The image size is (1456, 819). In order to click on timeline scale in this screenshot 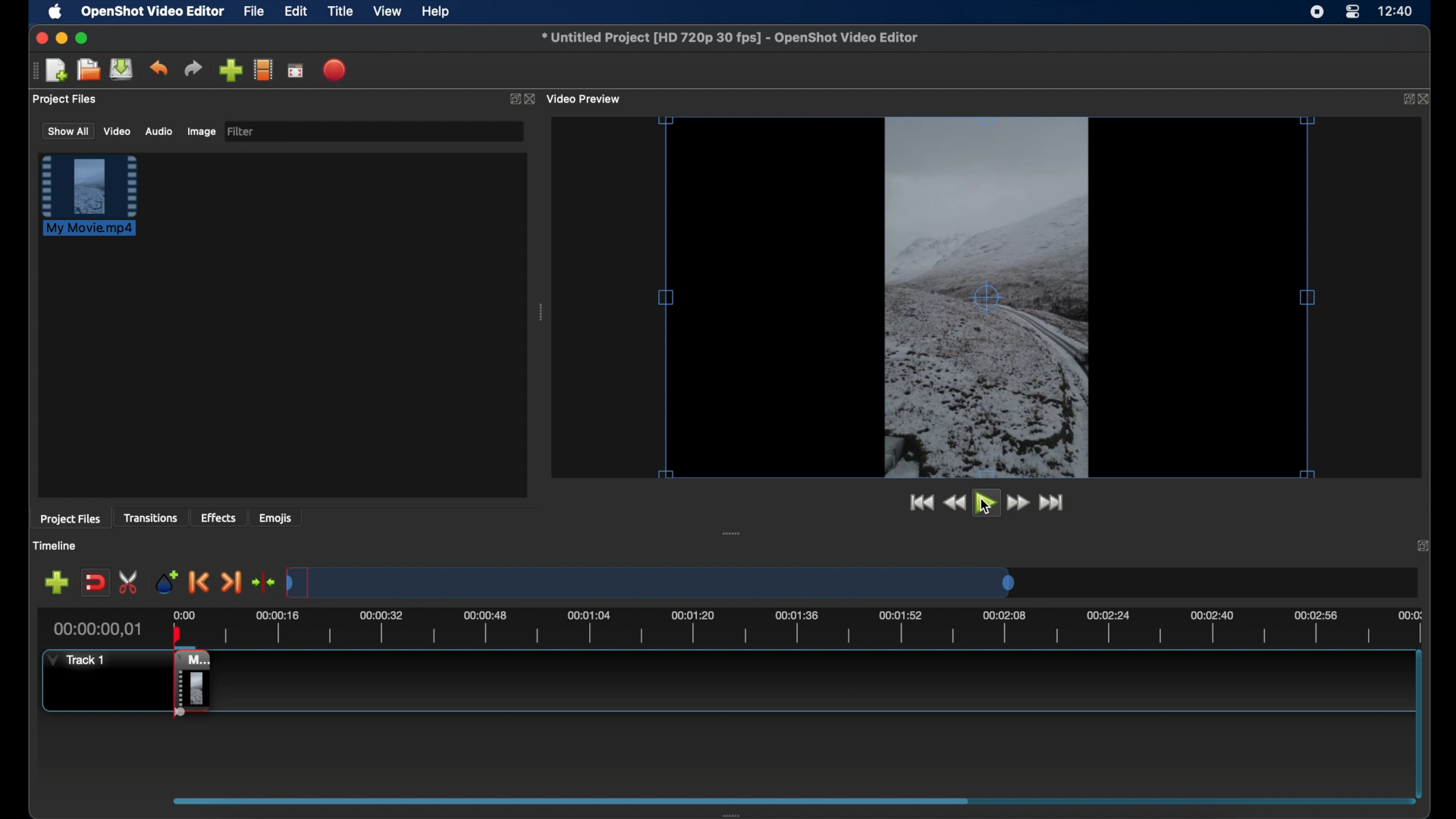, I will do `click(652, 584)`.